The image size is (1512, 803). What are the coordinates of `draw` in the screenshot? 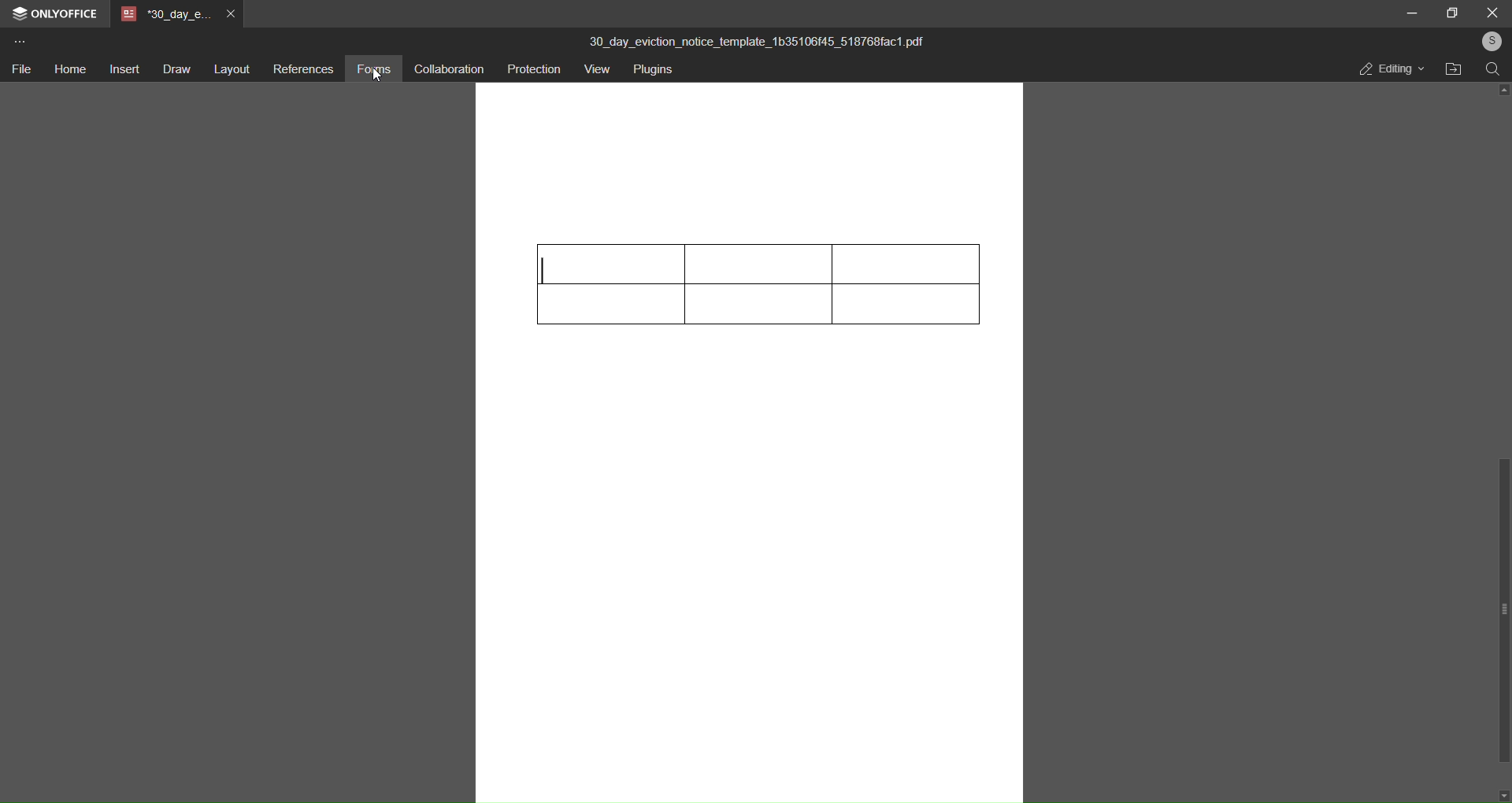 It's located at (174, 68).